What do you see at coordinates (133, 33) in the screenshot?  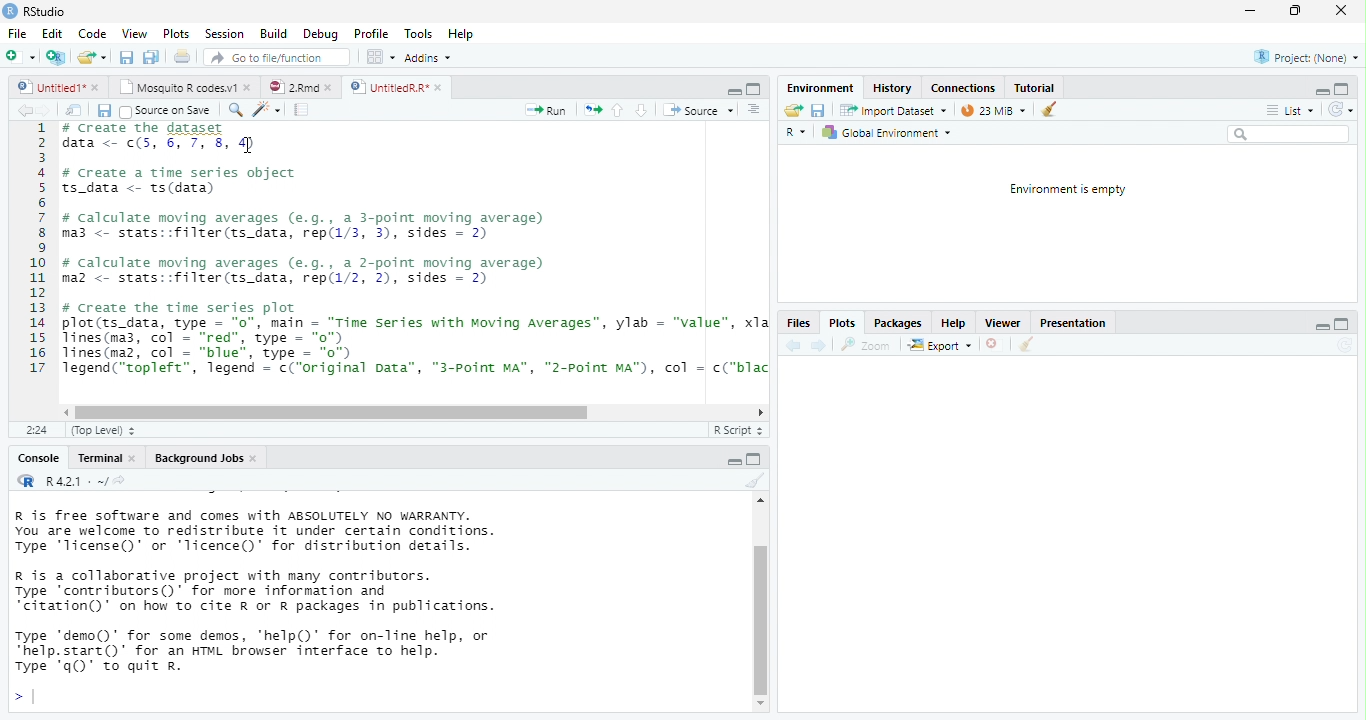 I see `View` at bounding box center [133, 33].